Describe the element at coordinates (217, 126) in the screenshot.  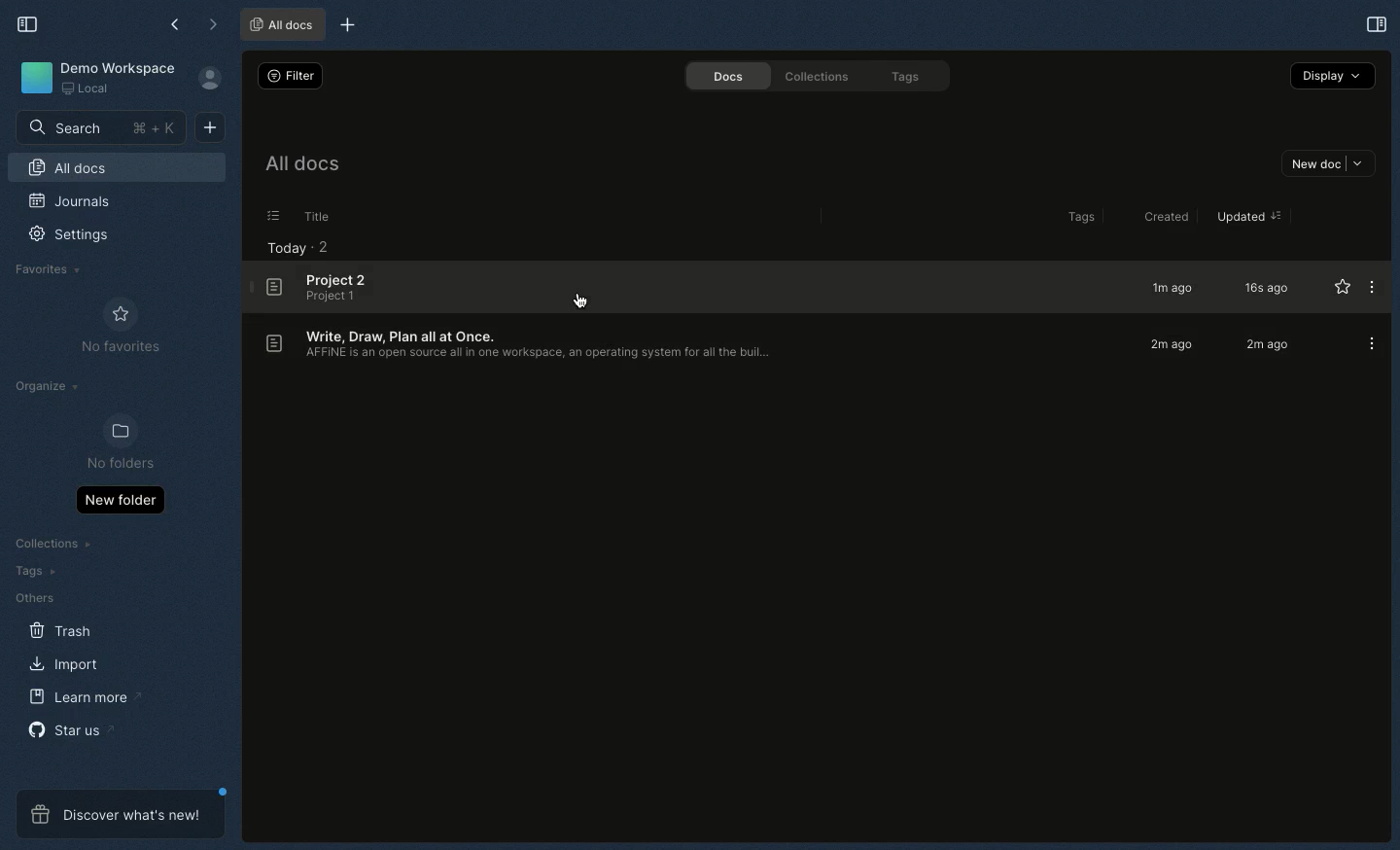
I see `New doc` at that location.